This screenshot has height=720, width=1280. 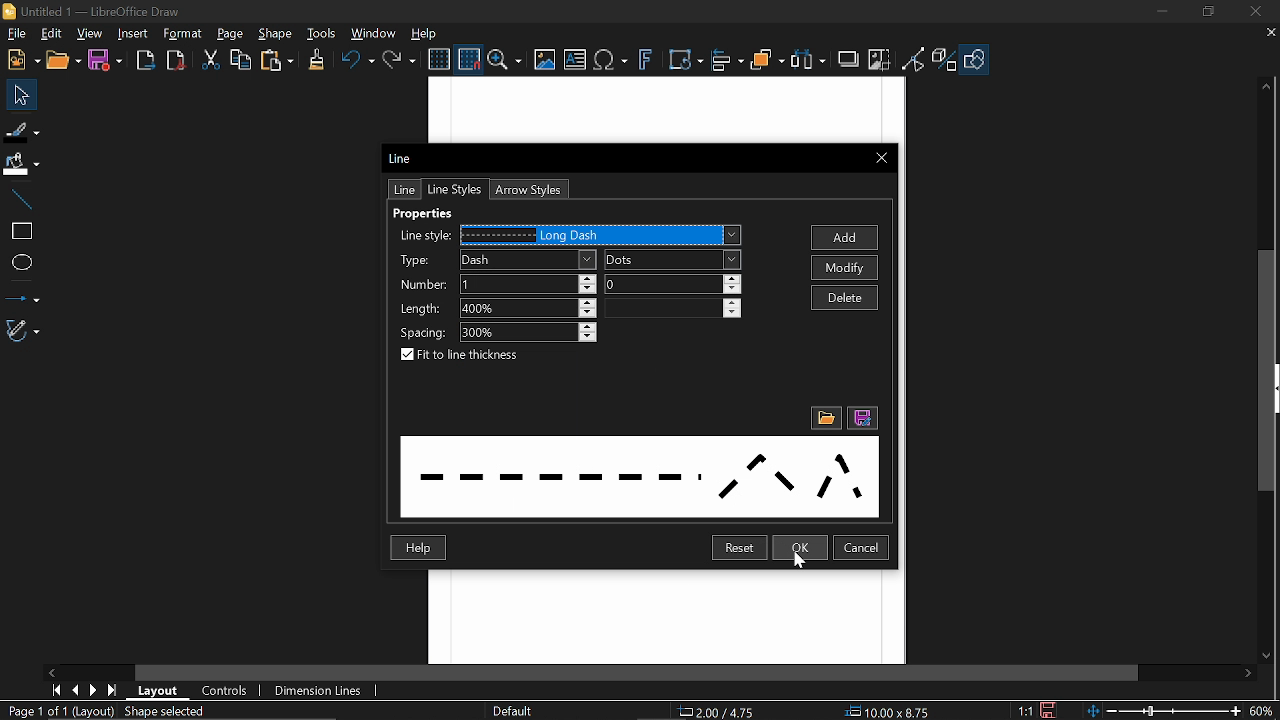 What do you see at coordinates (801, 548) in the screenshot?
I see `Ok` at bounding box center [801, 548].